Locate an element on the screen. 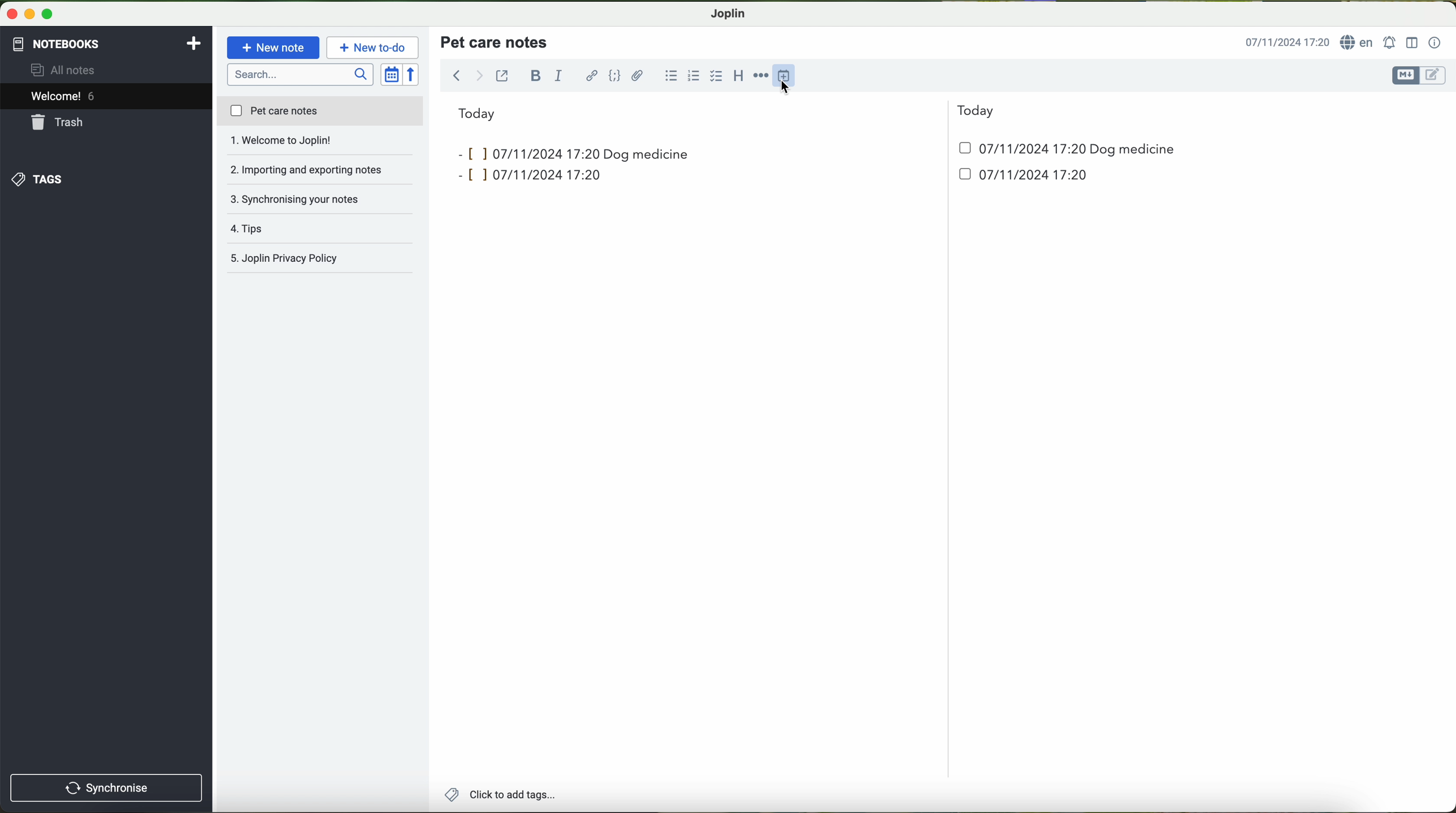 The height and width of the screenshot is (813, 1456). reverse sort order is located at coordinates (414, 75).